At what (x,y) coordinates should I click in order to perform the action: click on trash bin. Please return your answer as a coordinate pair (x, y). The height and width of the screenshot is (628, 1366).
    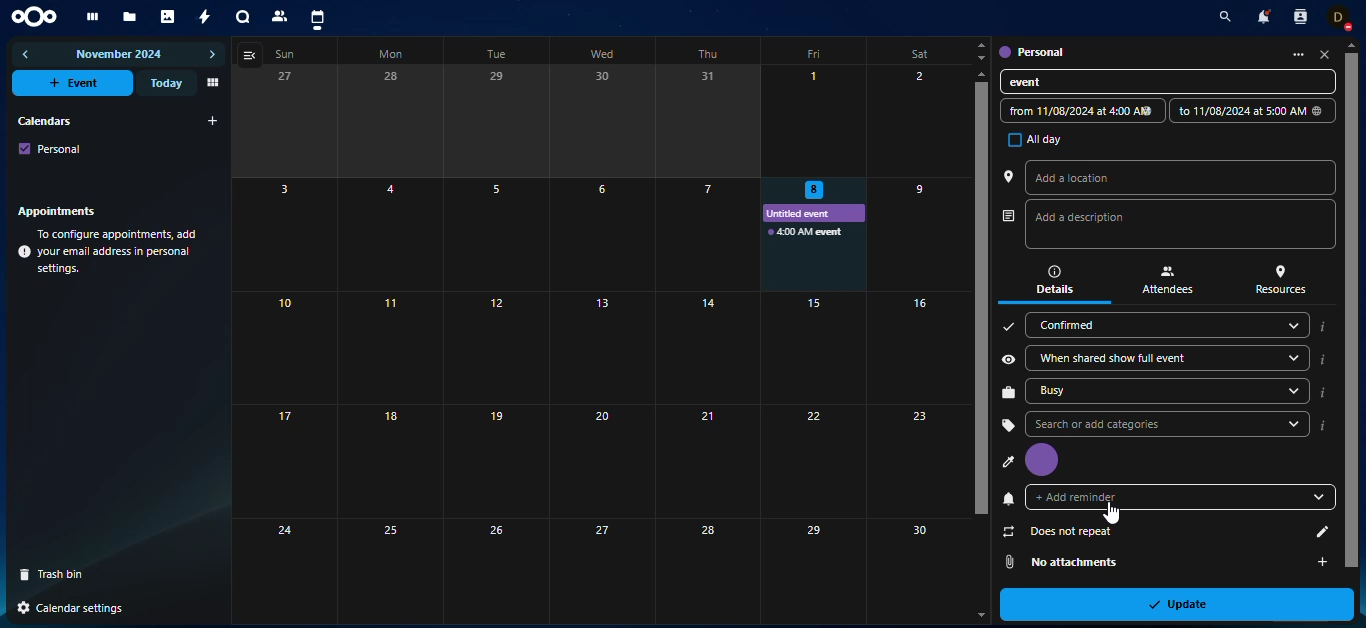
    Looking at the image, I should click on (59, 574).